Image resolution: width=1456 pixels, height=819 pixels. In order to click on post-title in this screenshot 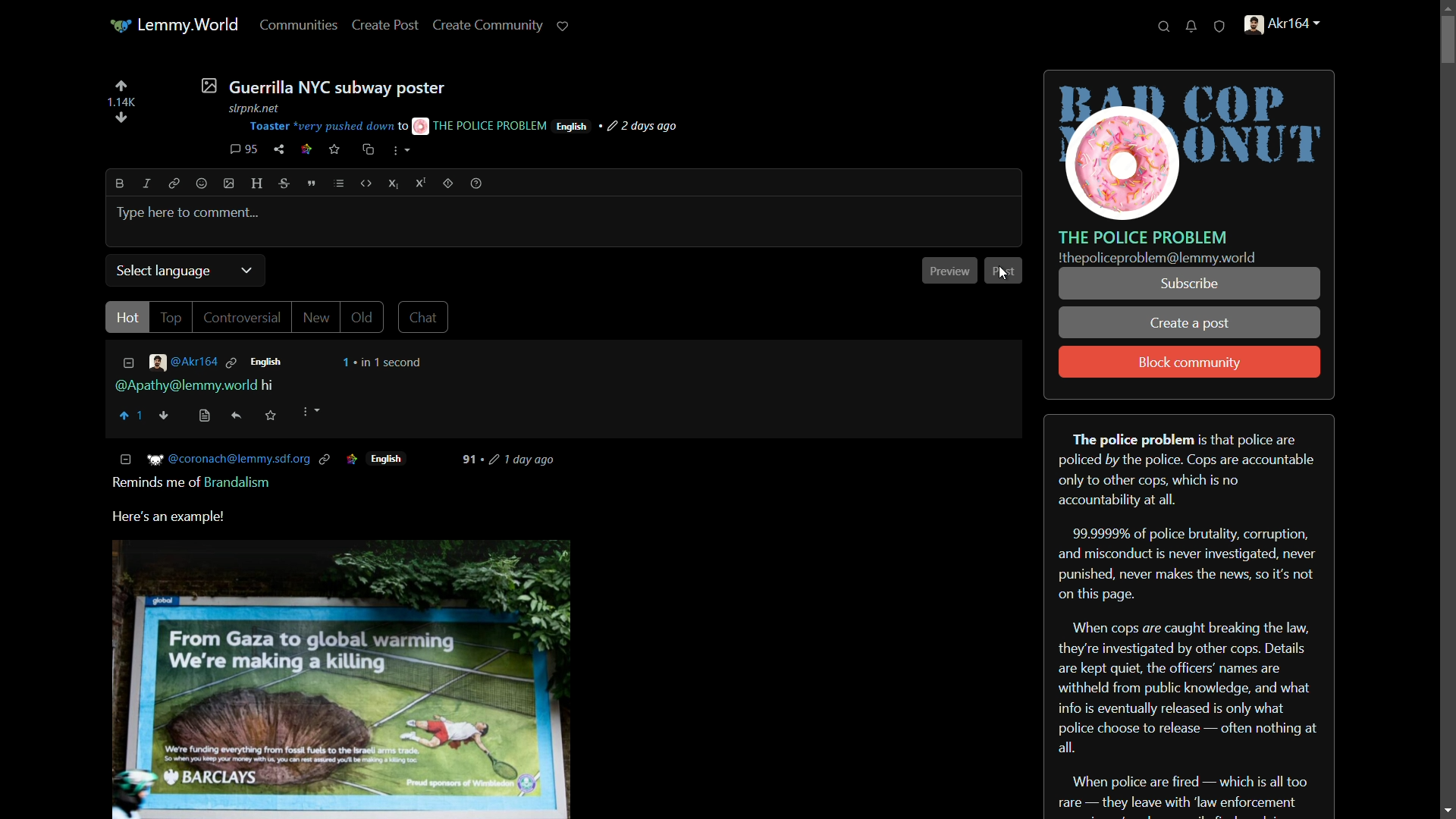, I will do `click(322, 86)`.